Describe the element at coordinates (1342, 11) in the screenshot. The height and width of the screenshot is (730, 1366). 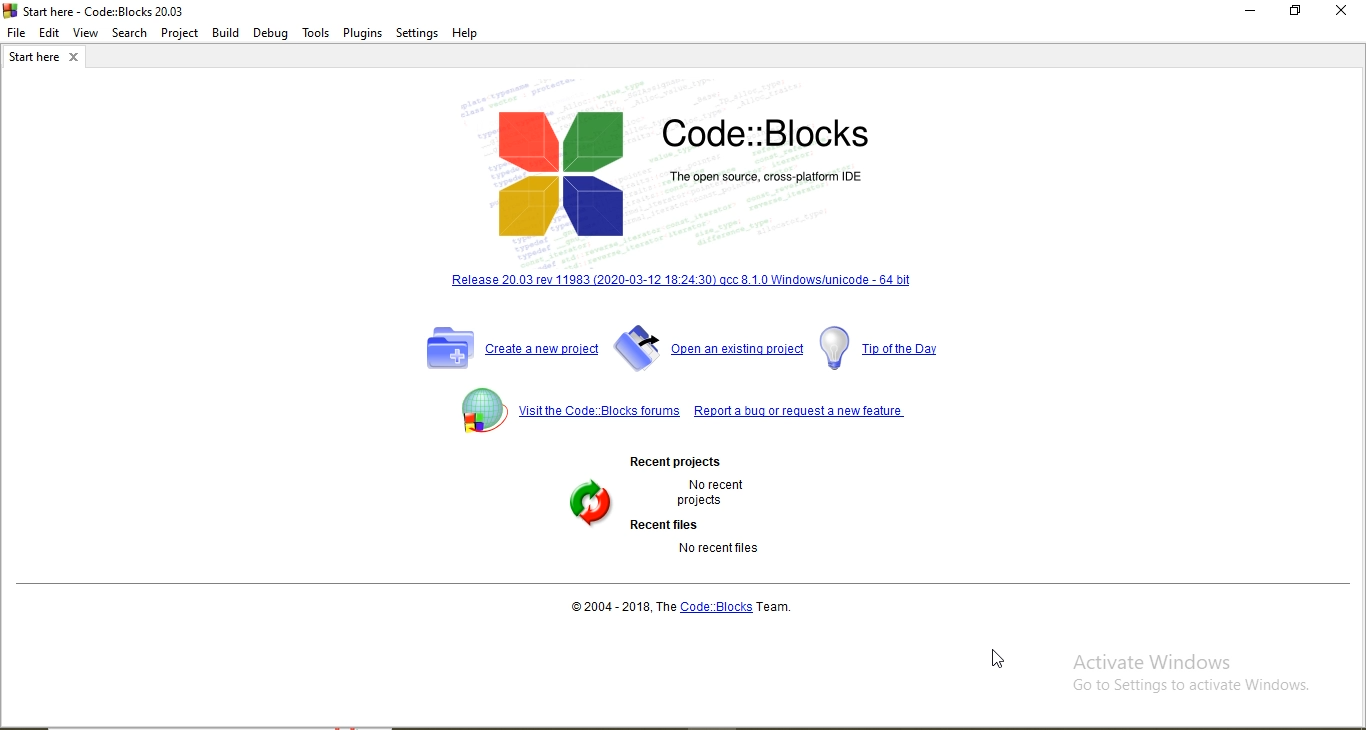
I see `Close` at that location.